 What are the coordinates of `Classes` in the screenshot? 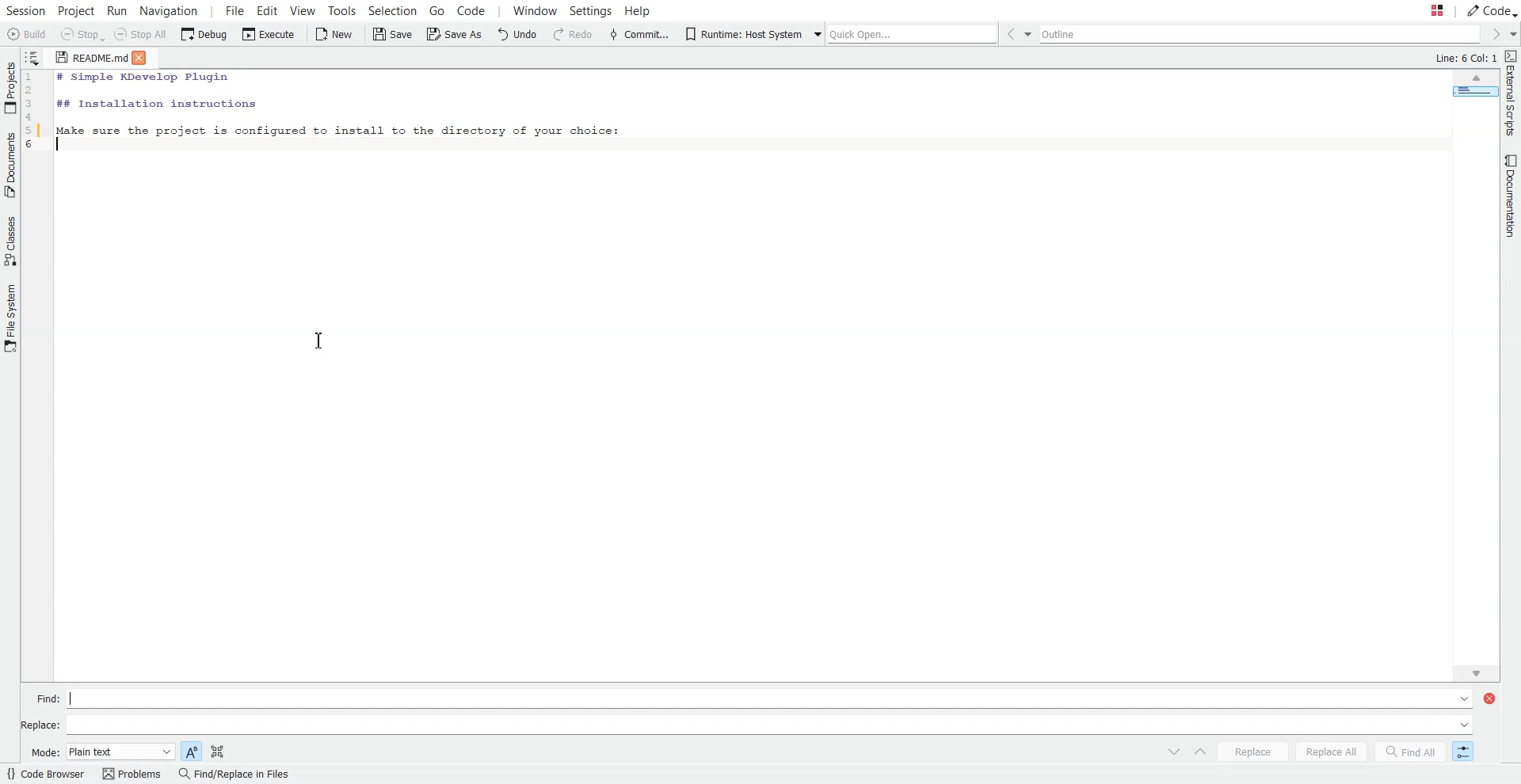 It's located at (10, 241).